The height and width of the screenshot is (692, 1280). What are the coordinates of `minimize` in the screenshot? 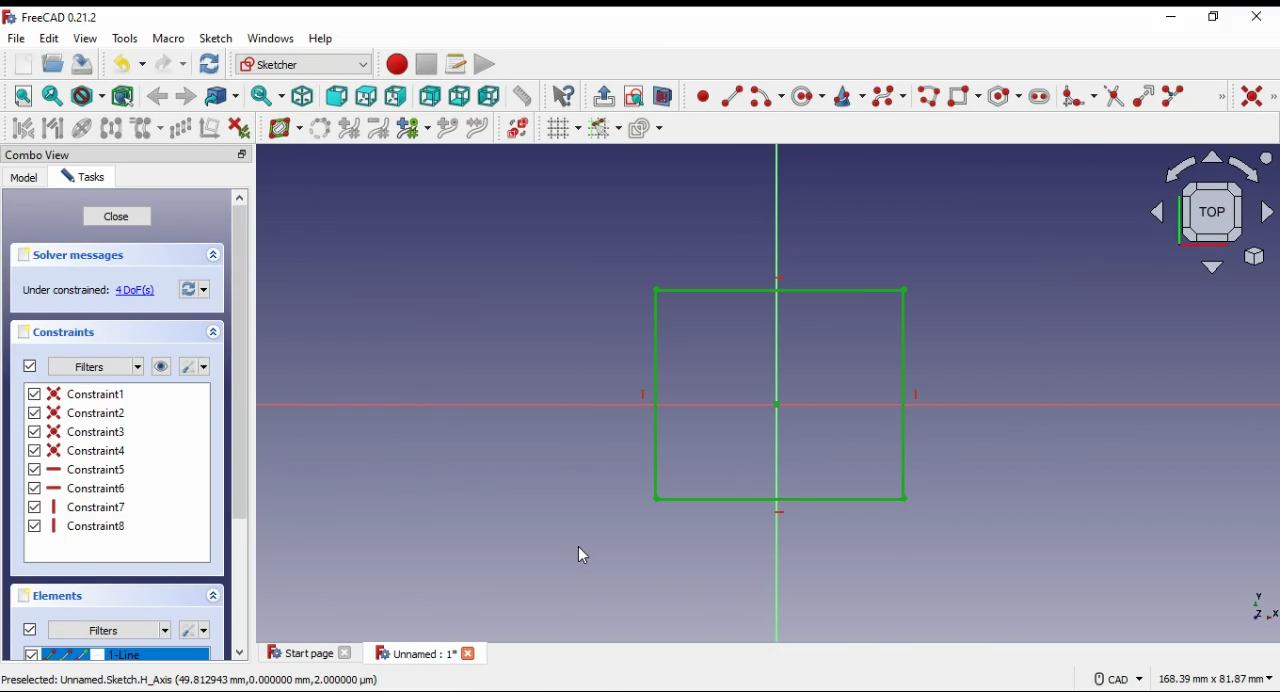 It's located at (1171, 18).